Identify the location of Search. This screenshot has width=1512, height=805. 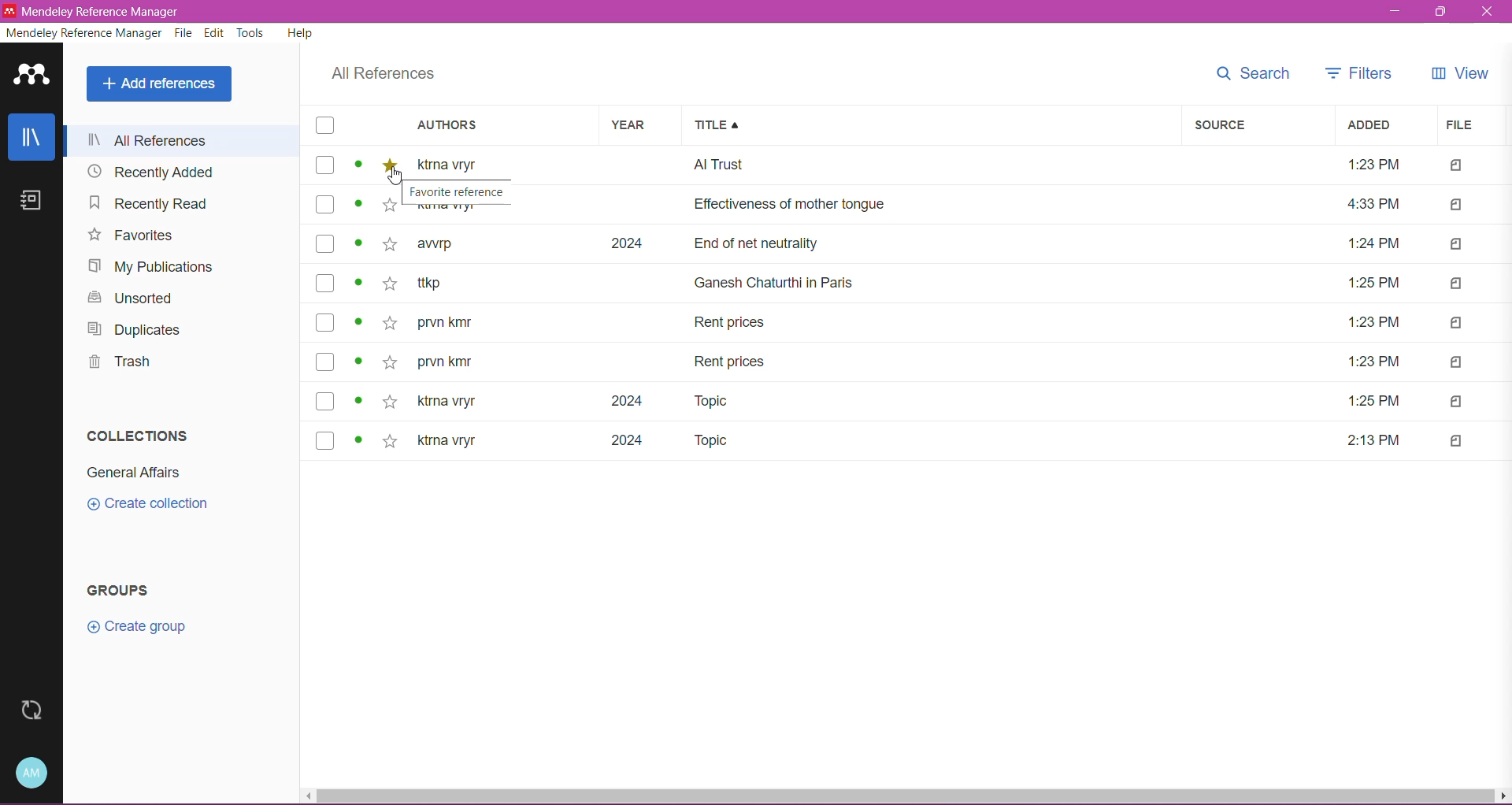
(1254, 73).